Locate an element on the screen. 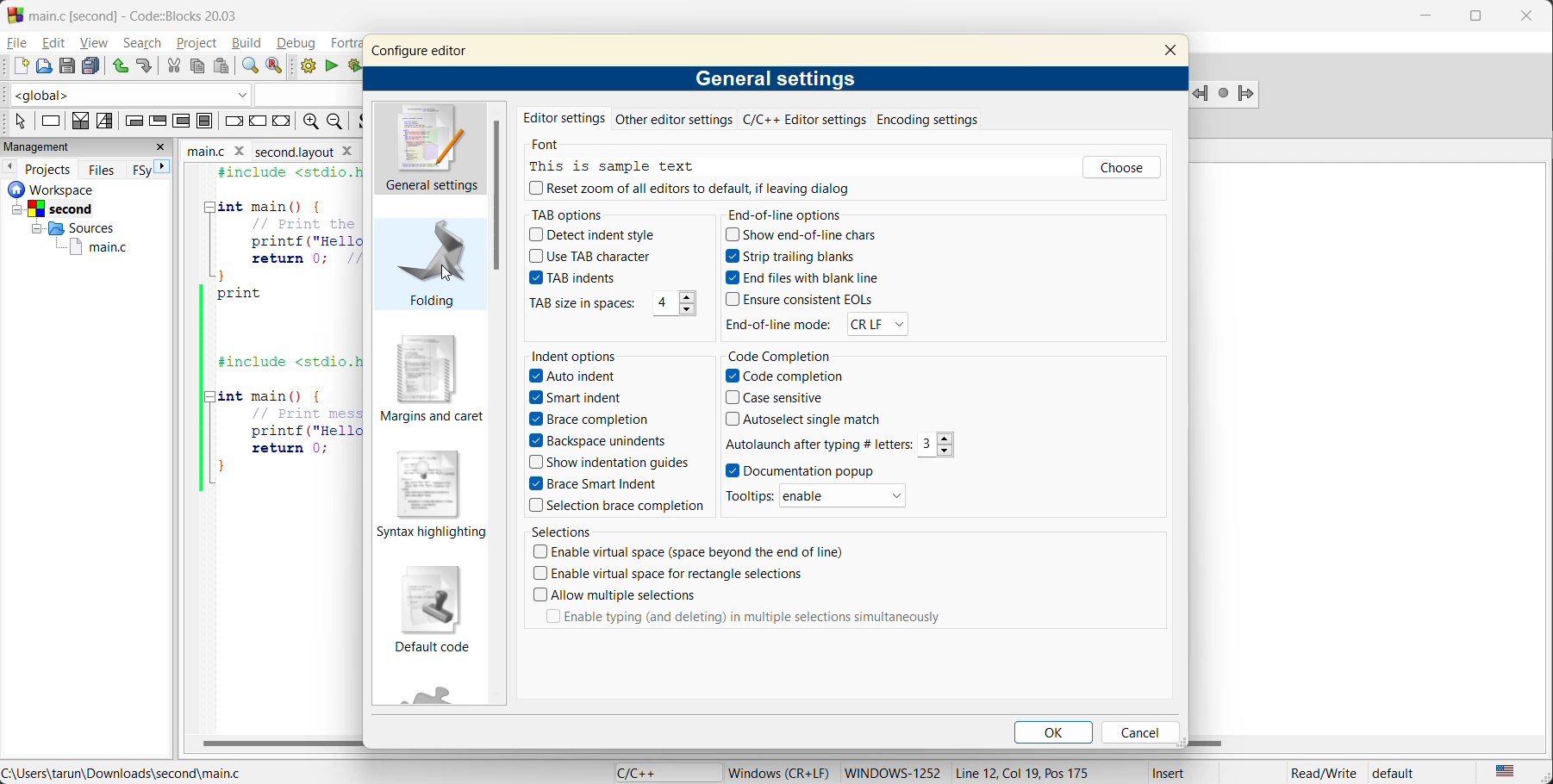 This screenshot has width=1553, height=784. Codeblock logo is located at coordinates (12, 14).